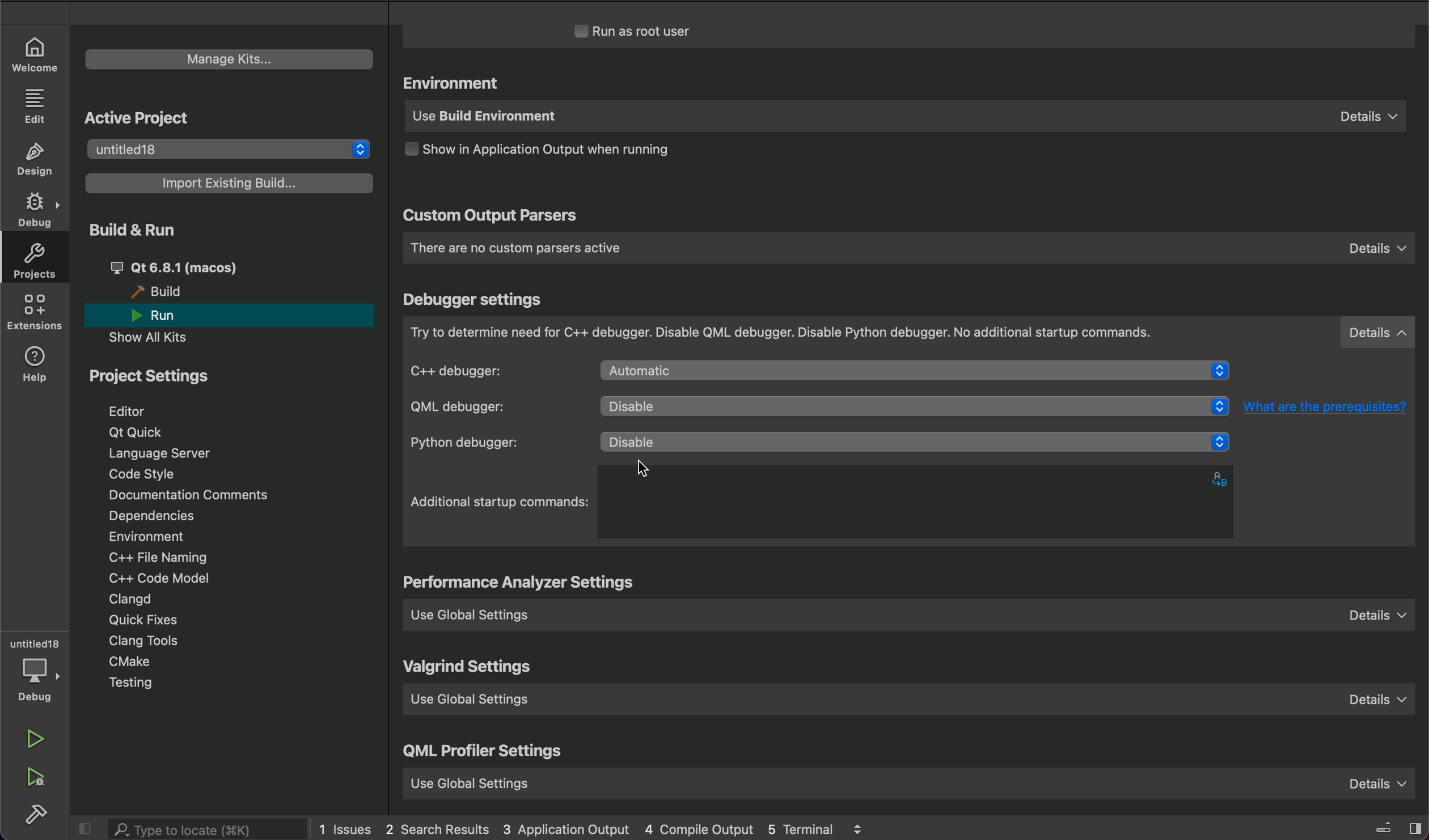 The width and height of the screenshot is (1429, 840). Describe the element at coordinates (202, 496) in the screenshot. I see `Documentation ` at that location.